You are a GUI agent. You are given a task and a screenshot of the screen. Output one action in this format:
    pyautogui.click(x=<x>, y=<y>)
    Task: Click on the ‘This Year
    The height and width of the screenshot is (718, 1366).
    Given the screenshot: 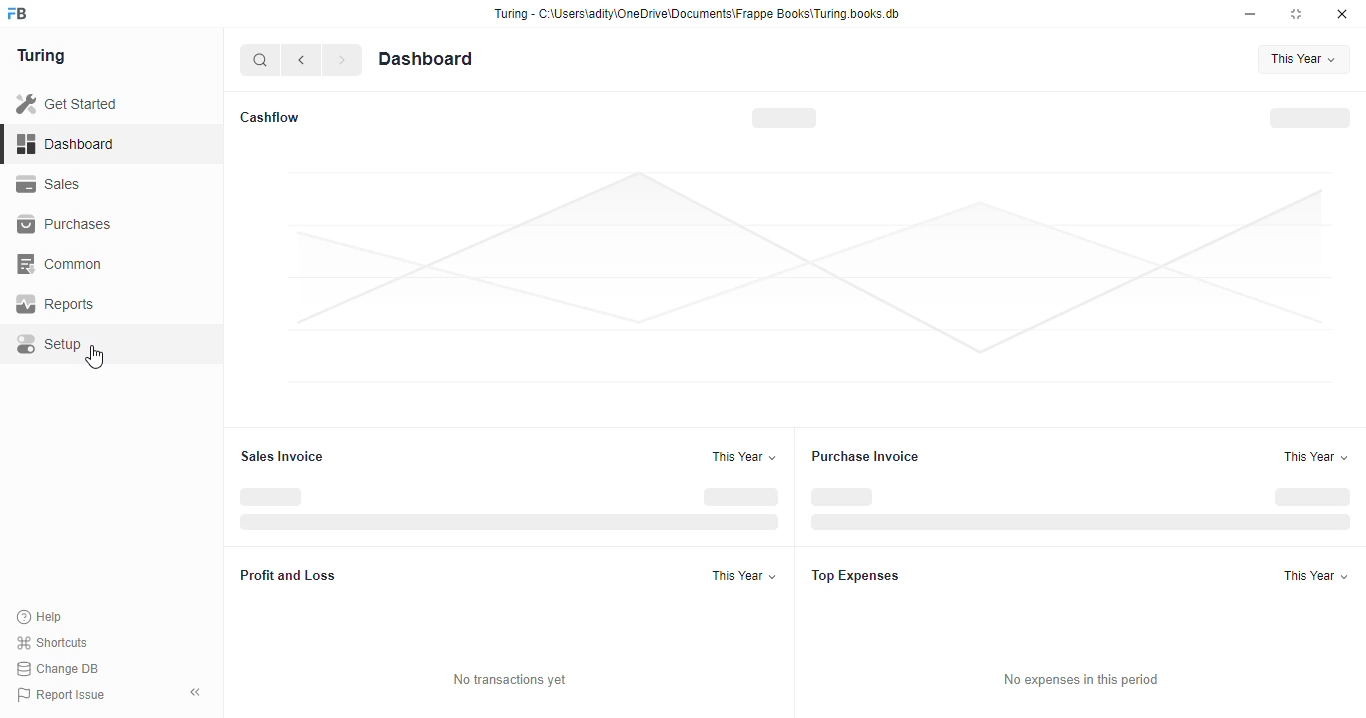 What is the action you would take?
    pyautogui.click(x=1316, y=575)
    